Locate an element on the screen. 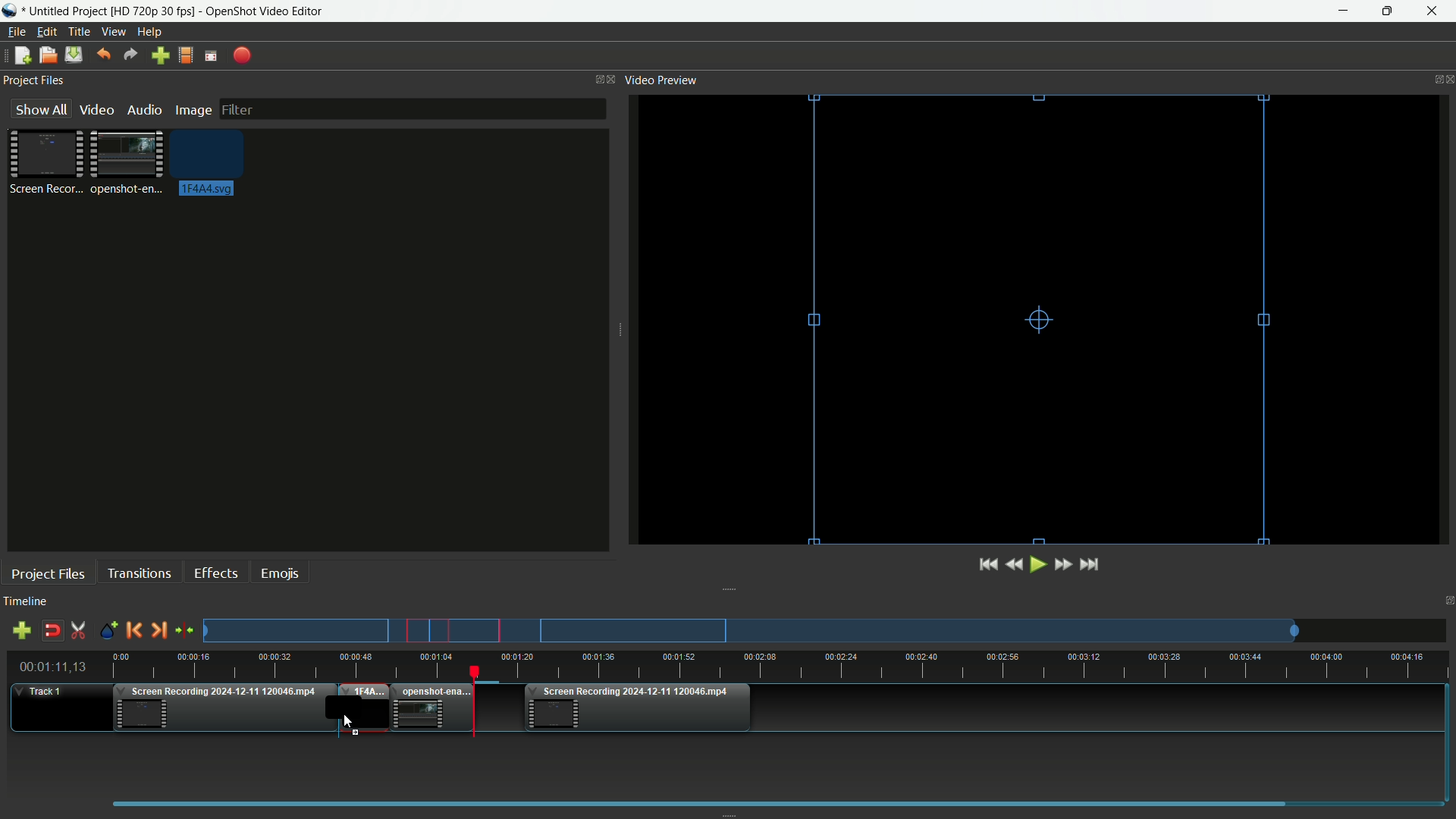 This screenshot has height=819, width=1456. Edit menu is located at coordinates (44, 32).